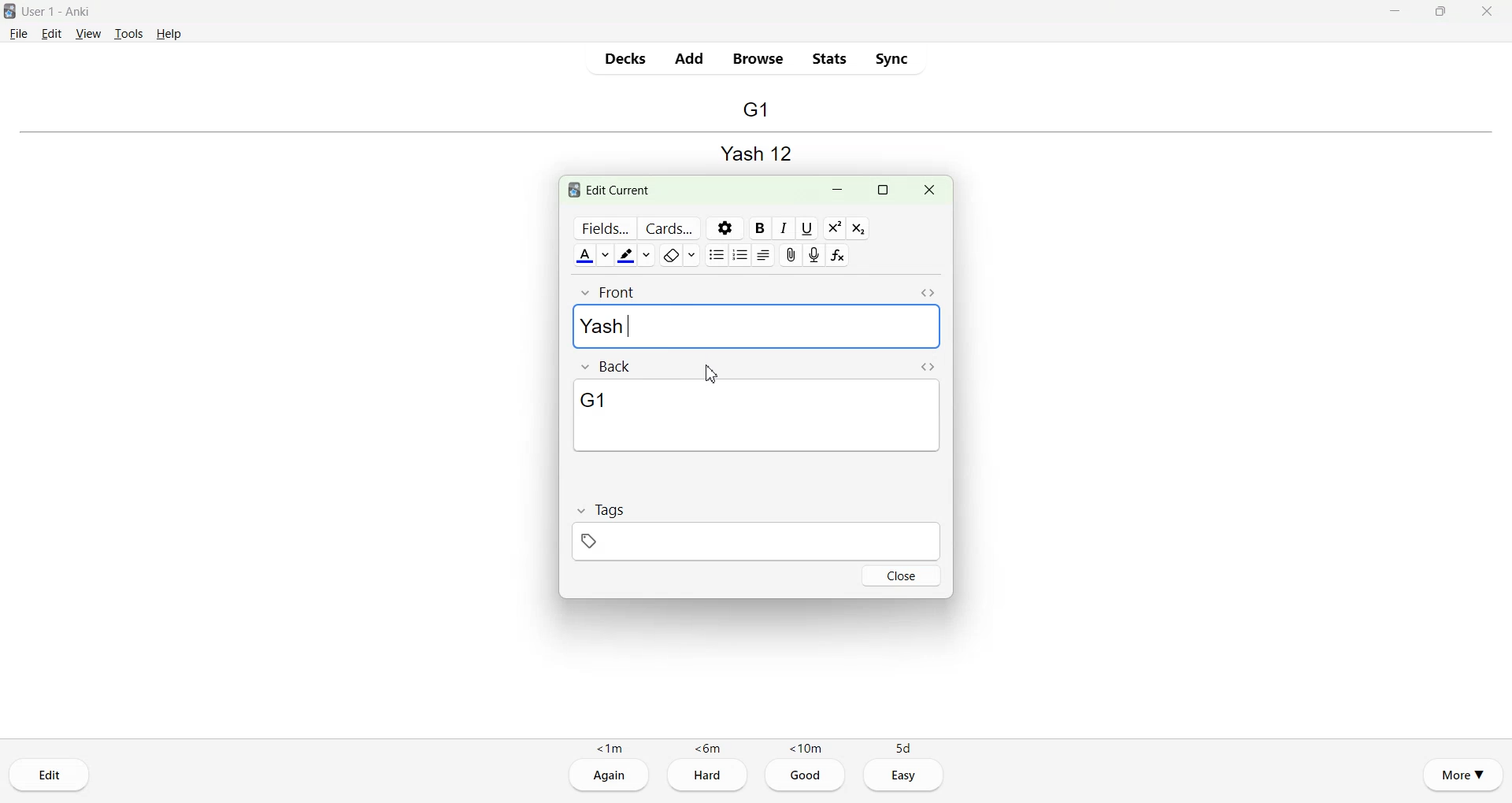 The image size is (1512, 803). Describe the element at coordinates (882, 191) in the screenshot. I see `Maximize` at that location.